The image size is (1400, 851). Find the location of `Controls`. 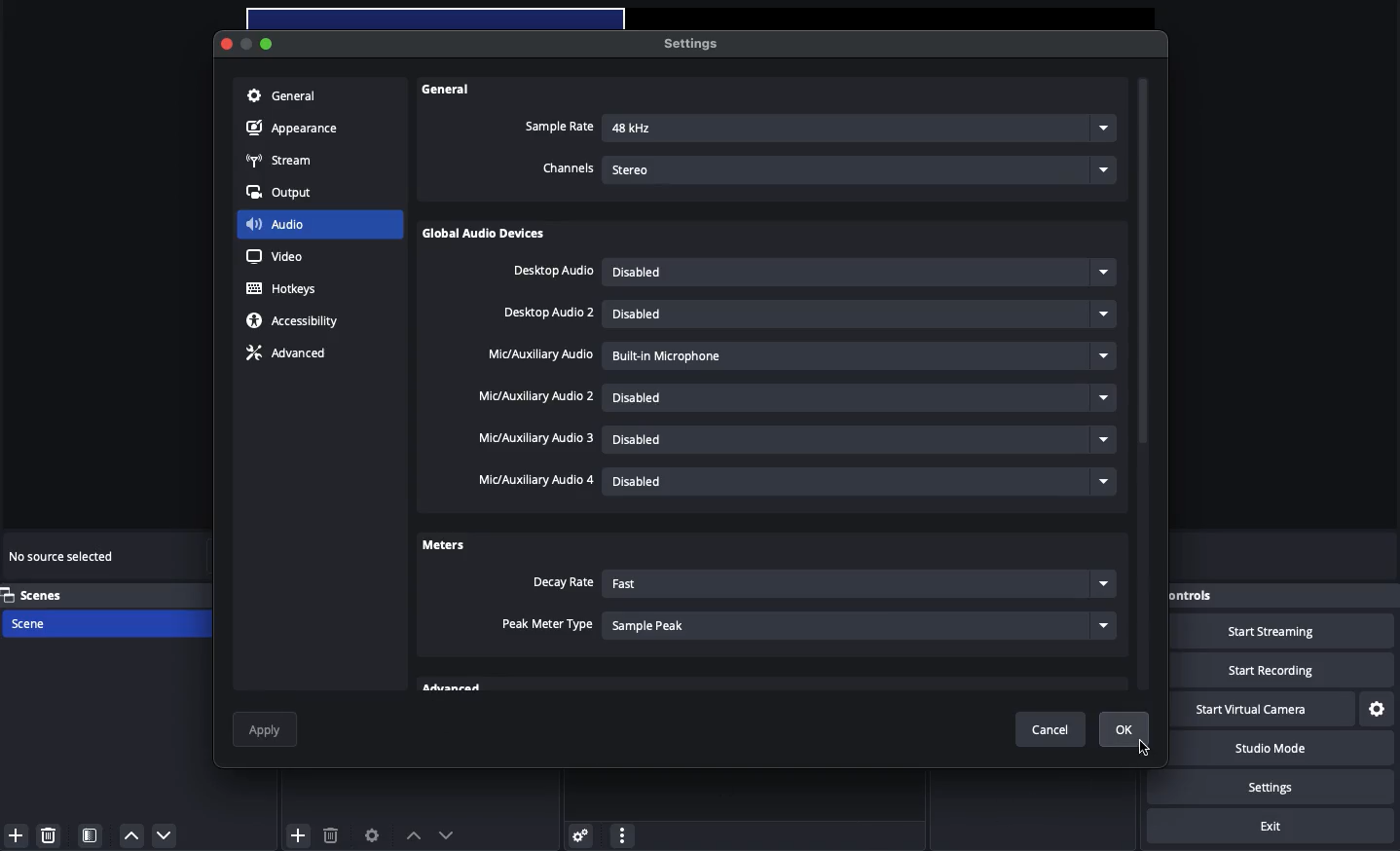

Controls is located at coordinates (1220, 596).